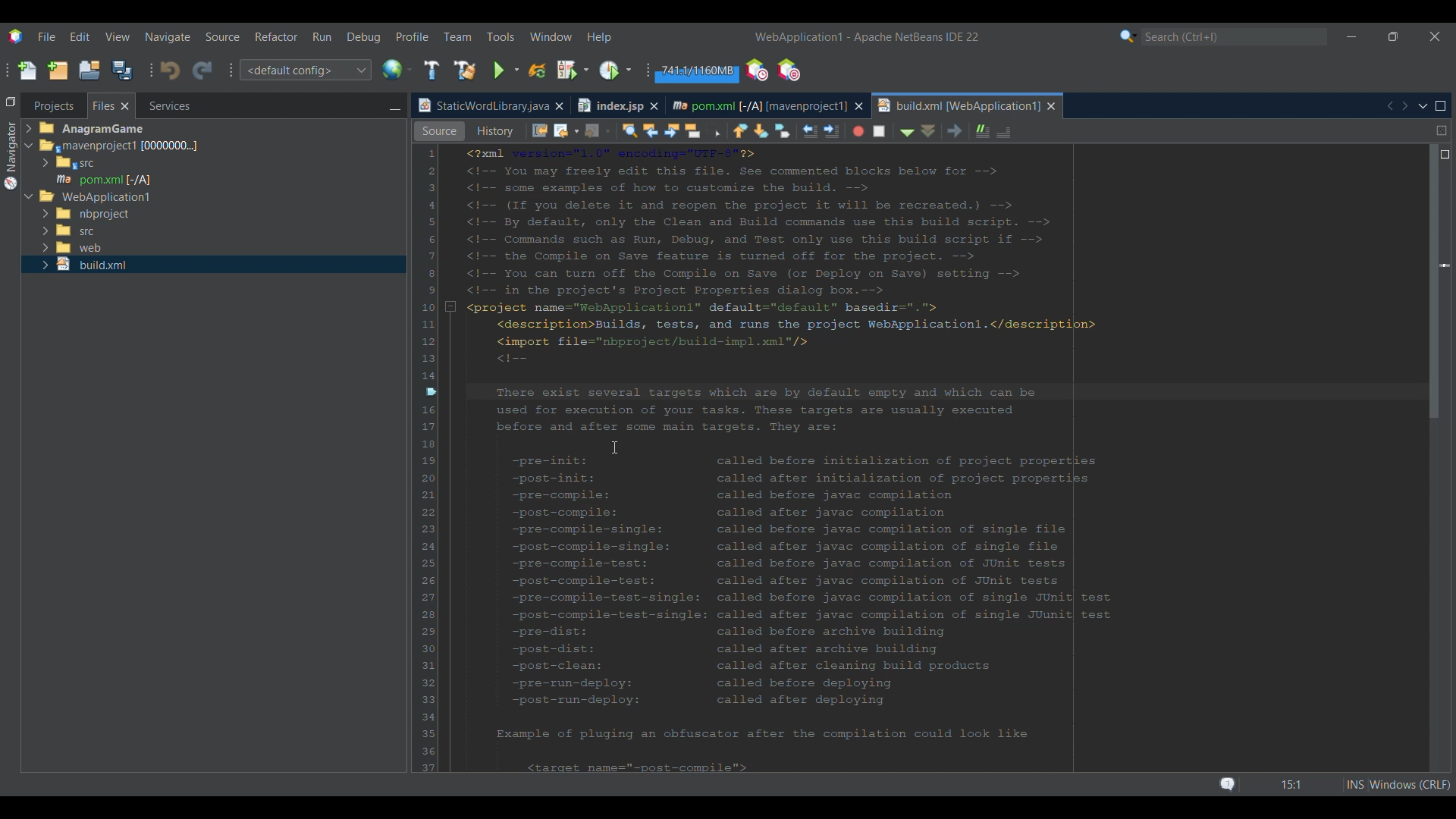  What do you see at coordinates (565, 131) in the screenshot?
I see `Effective view` at bounding box center [565, 131].